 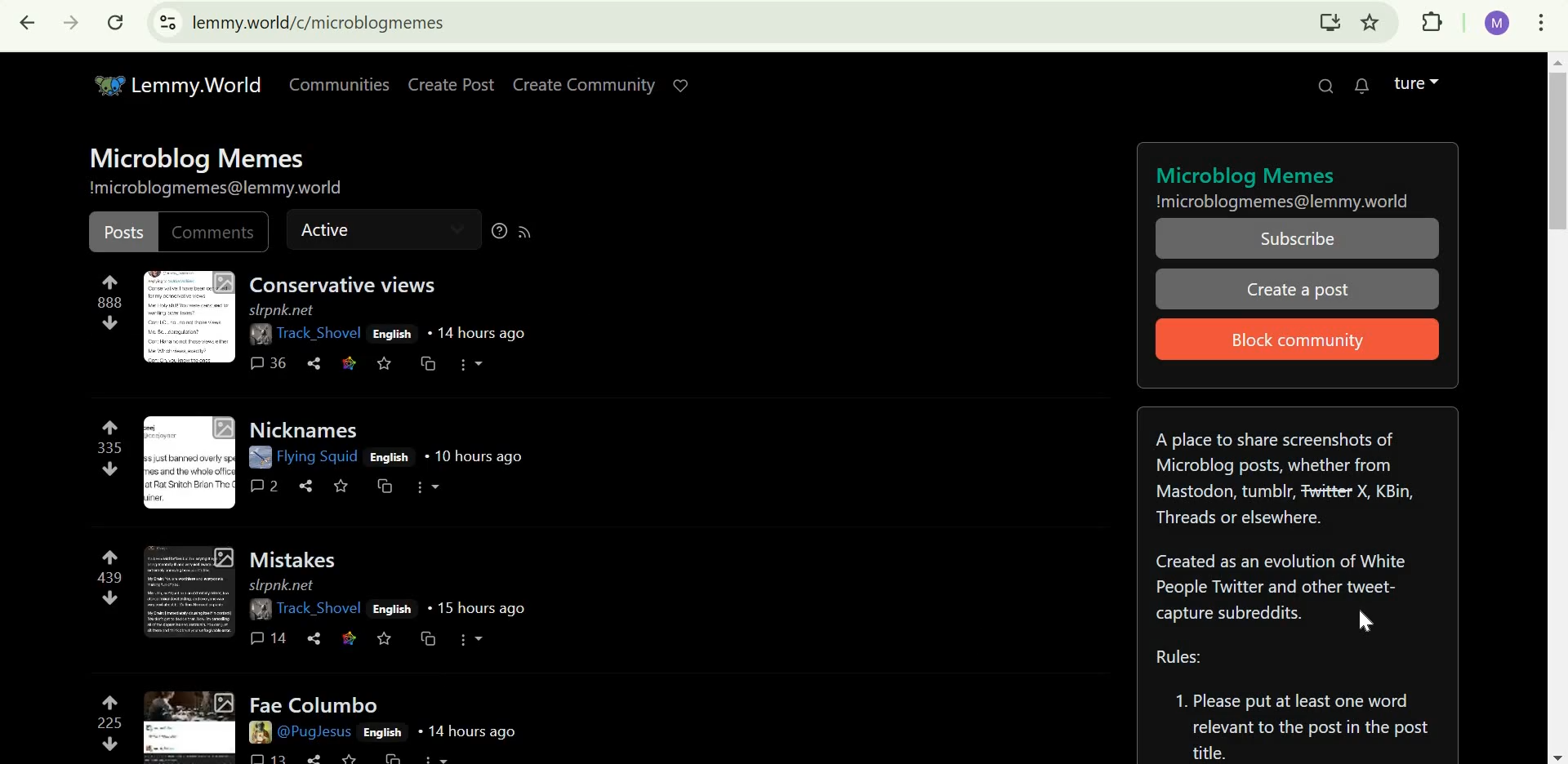 I want to click on expand here, so click(x=190, y=722).